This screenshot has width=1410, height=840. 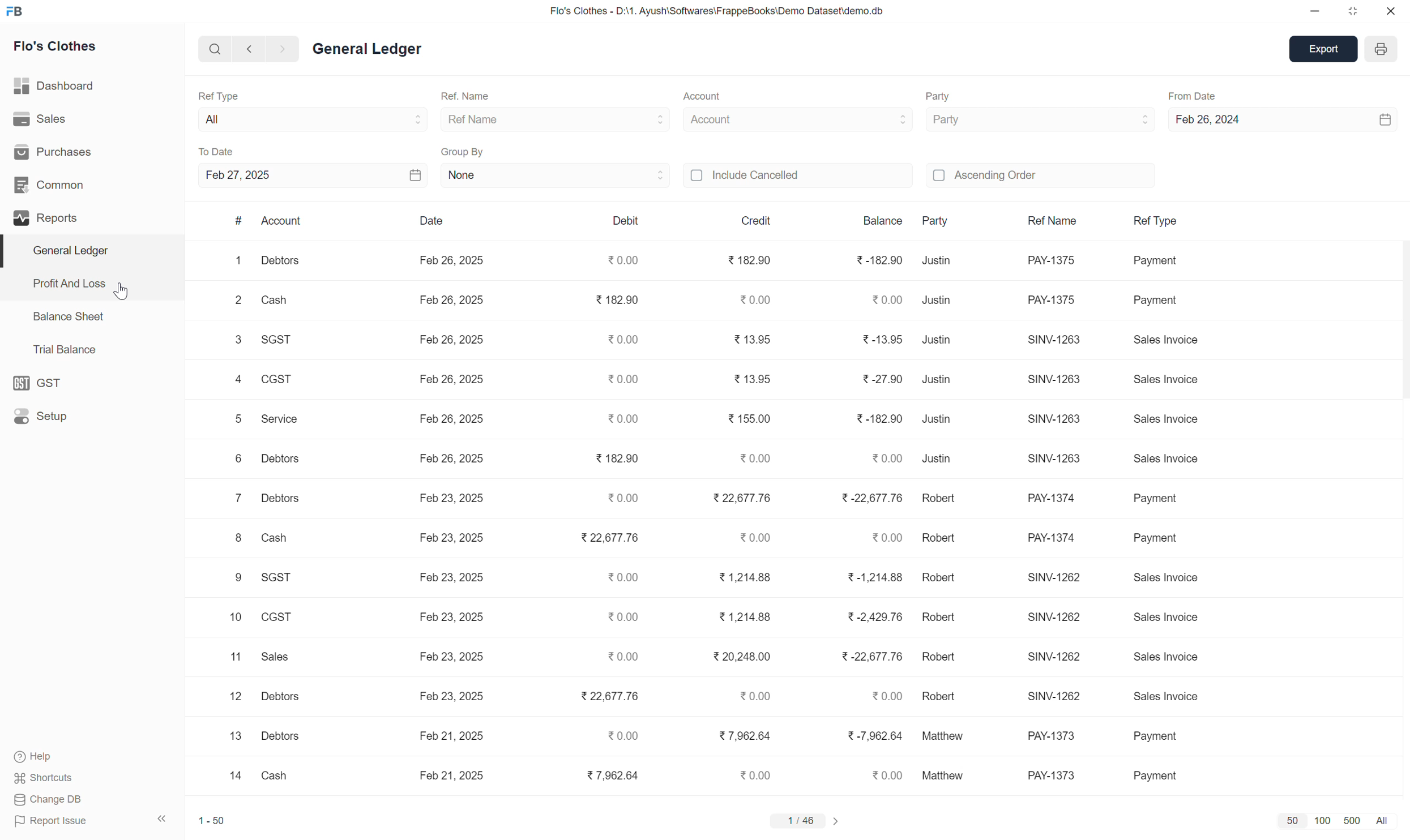 I want to click on 13, so click(x=236, y=739).